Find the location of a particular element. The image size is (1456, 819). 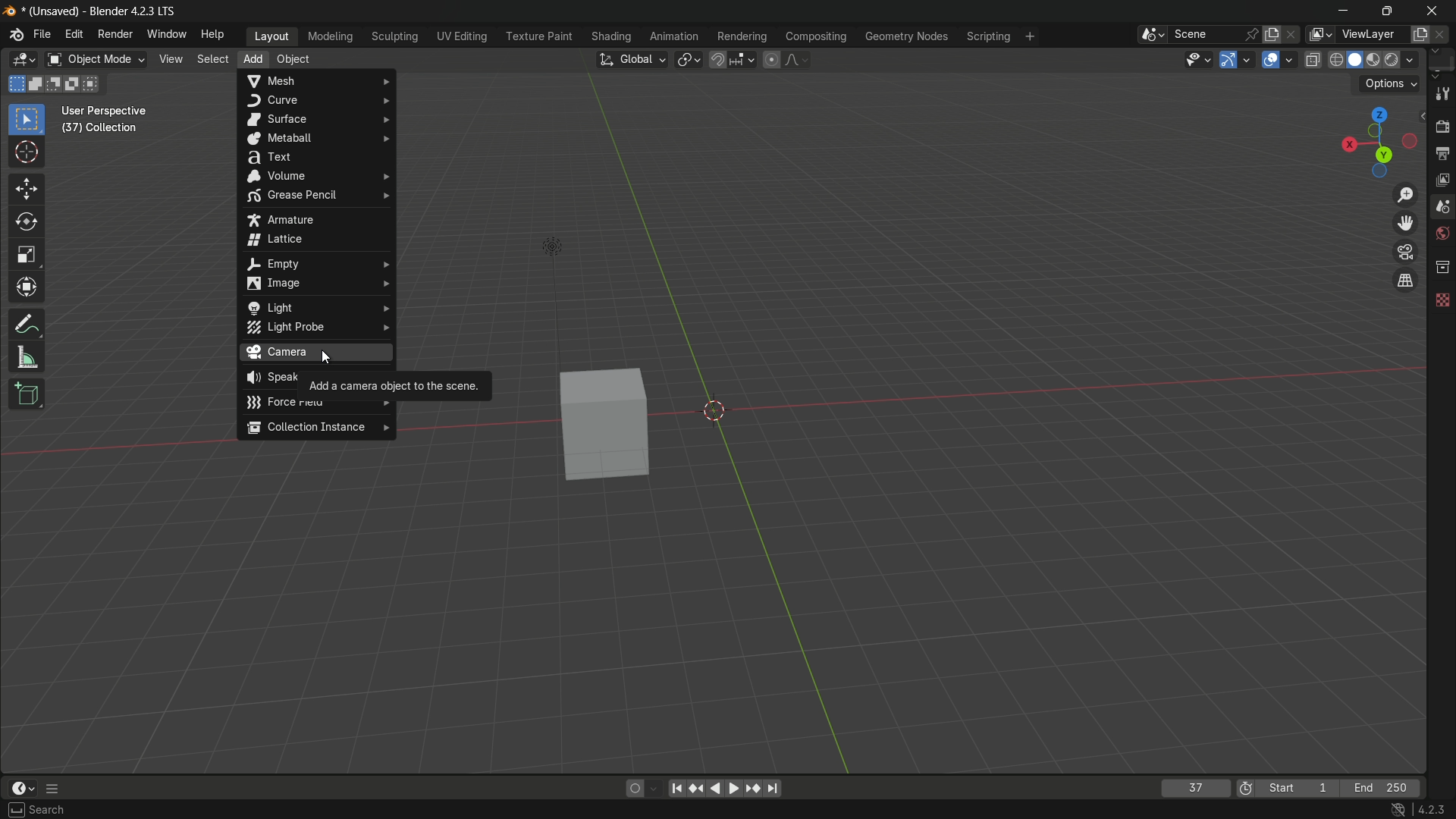

gizmos is located at coordinates (1247, 60).